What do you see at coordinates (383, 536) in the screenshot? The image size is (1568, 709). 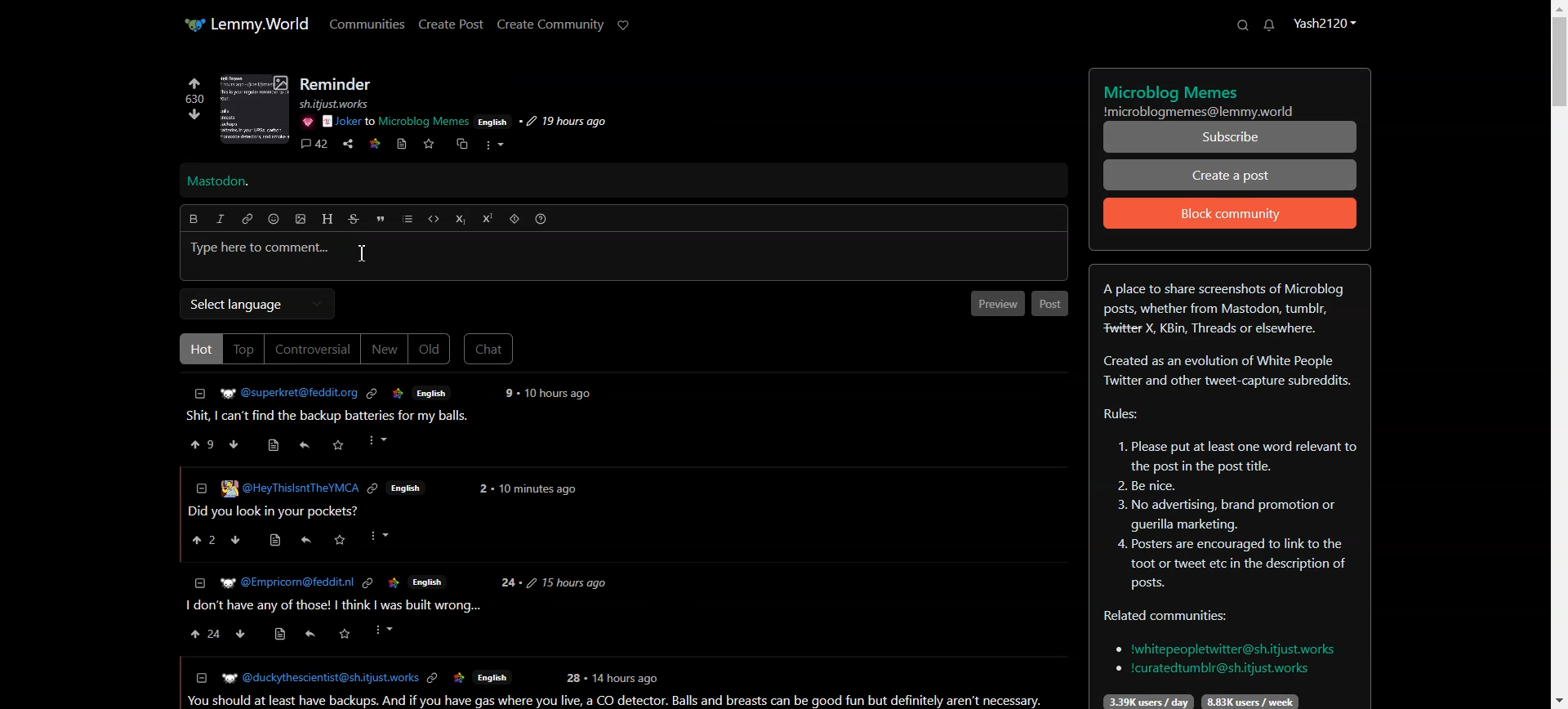 I see `` at bounding box center [383, 536].